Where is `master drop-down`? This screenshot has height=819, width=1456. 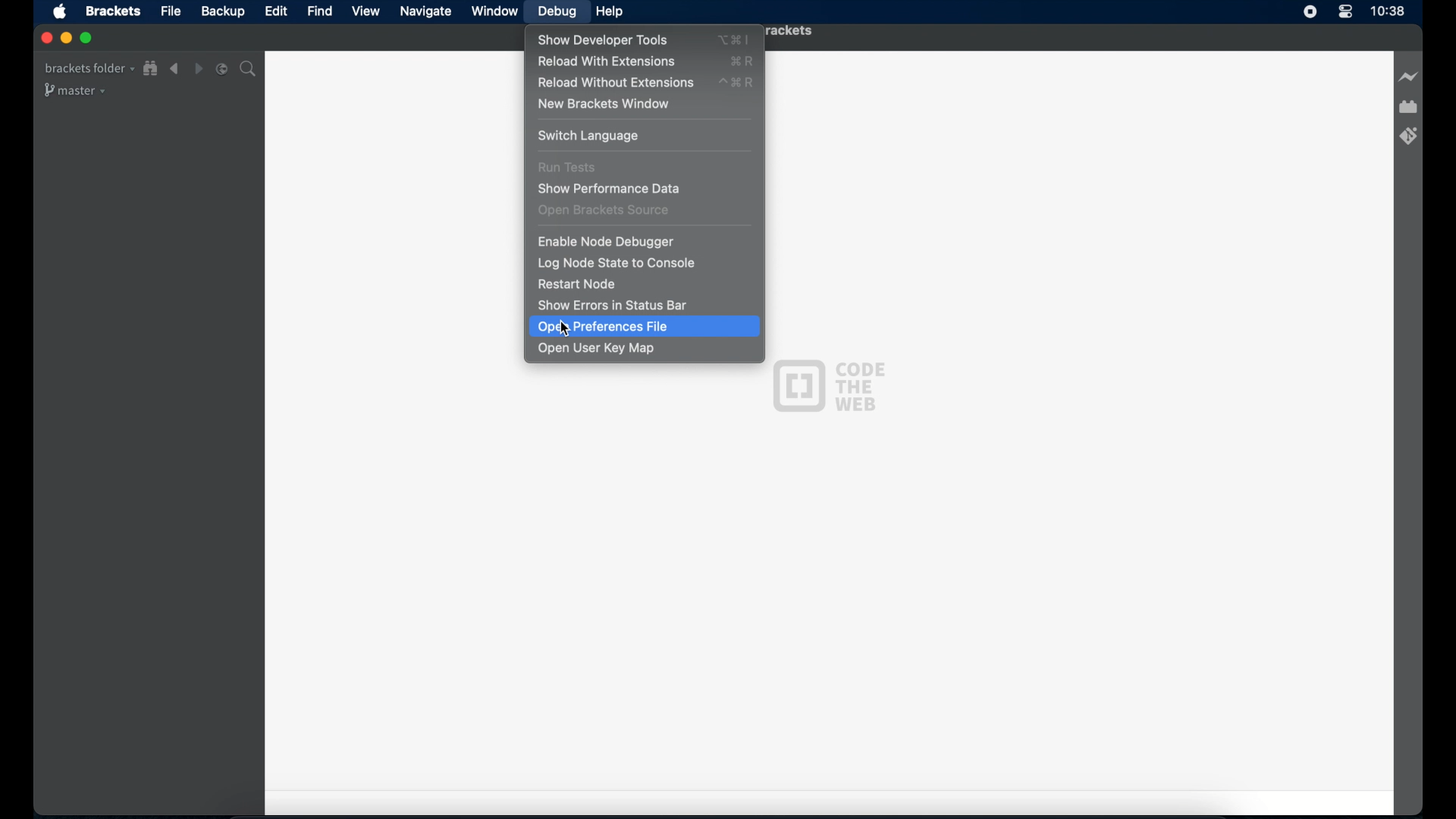
master drop-down is located at coordinates (75, 90).